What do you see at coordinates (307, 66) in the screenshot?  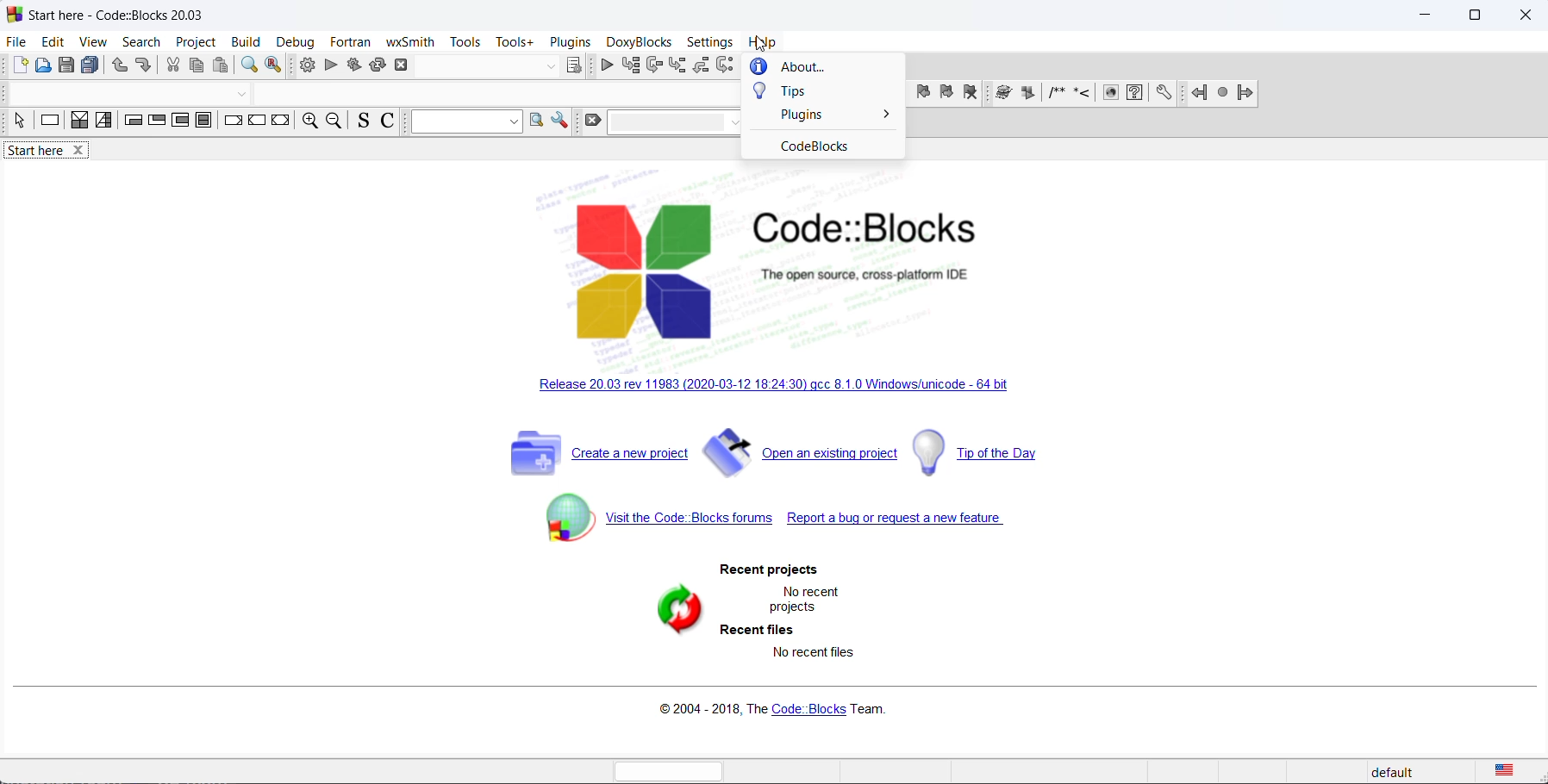 I see `build` at bounding box center [307, 66].